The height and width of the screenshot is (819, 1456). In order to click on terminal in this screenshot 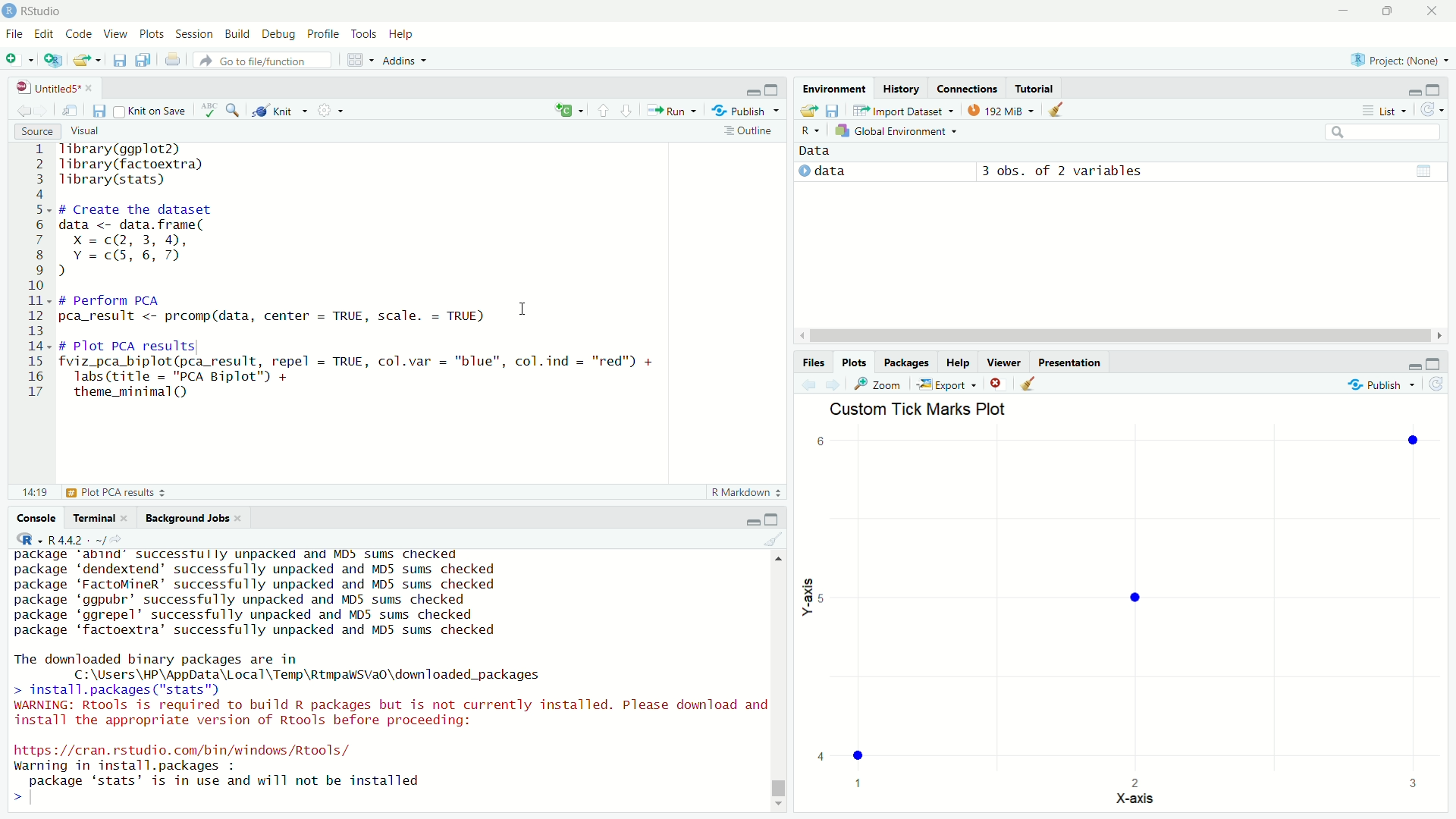, I will do `click(100, 518)`.